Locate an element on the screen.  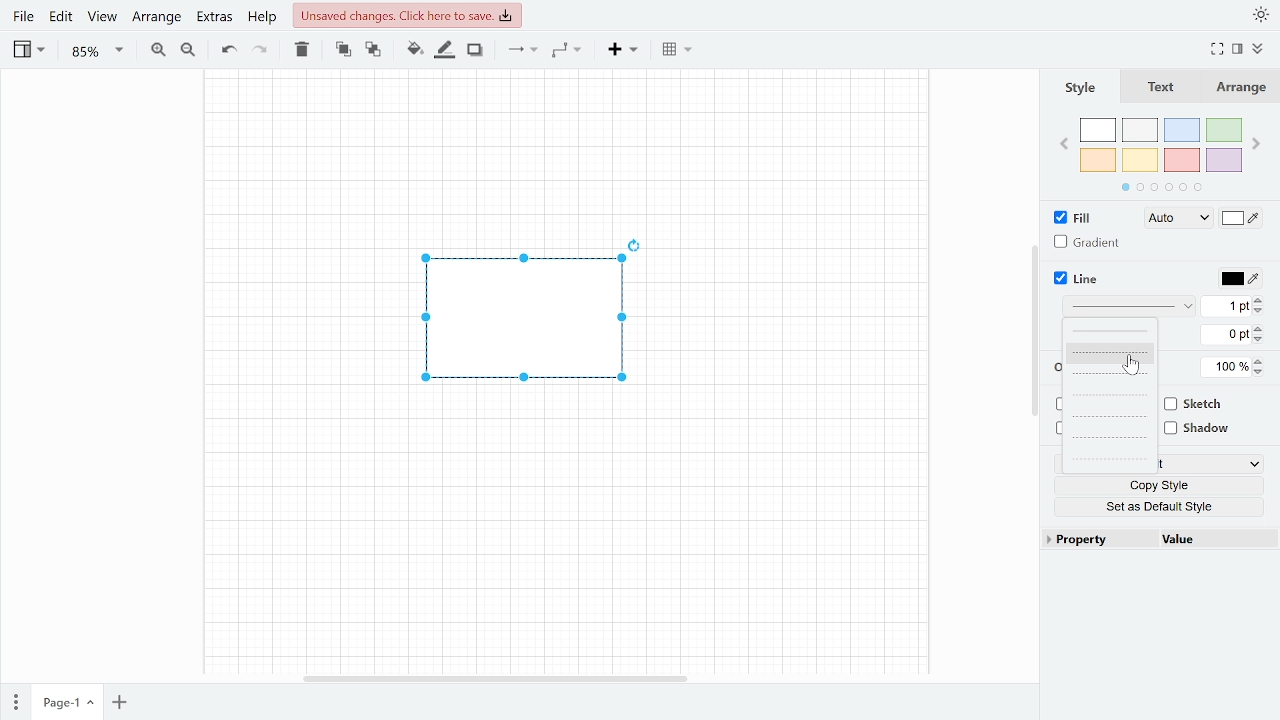
Fill color is located at coordinates (414, 51).